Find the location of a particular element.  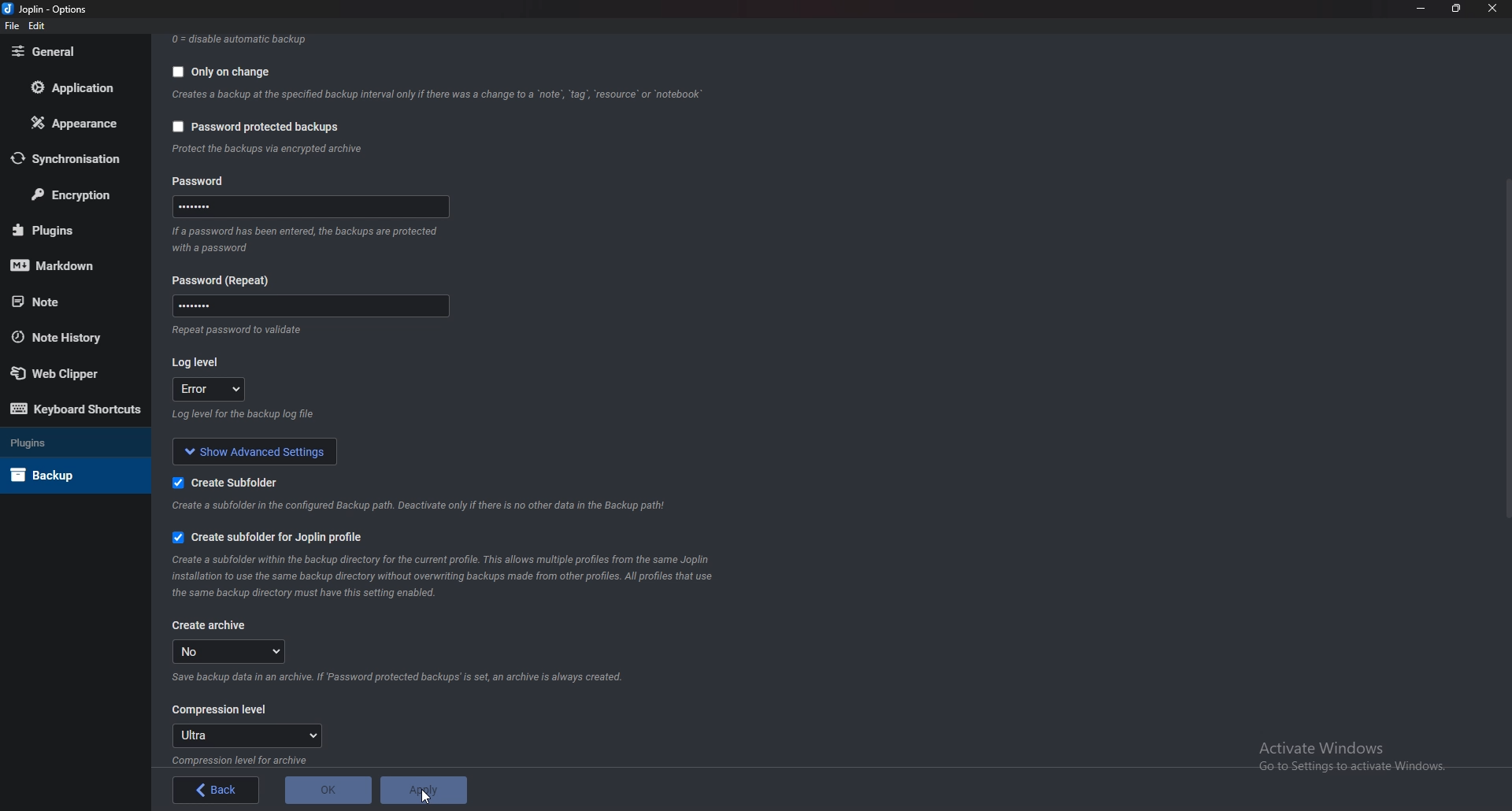

info is located at coordinates (278, 149).